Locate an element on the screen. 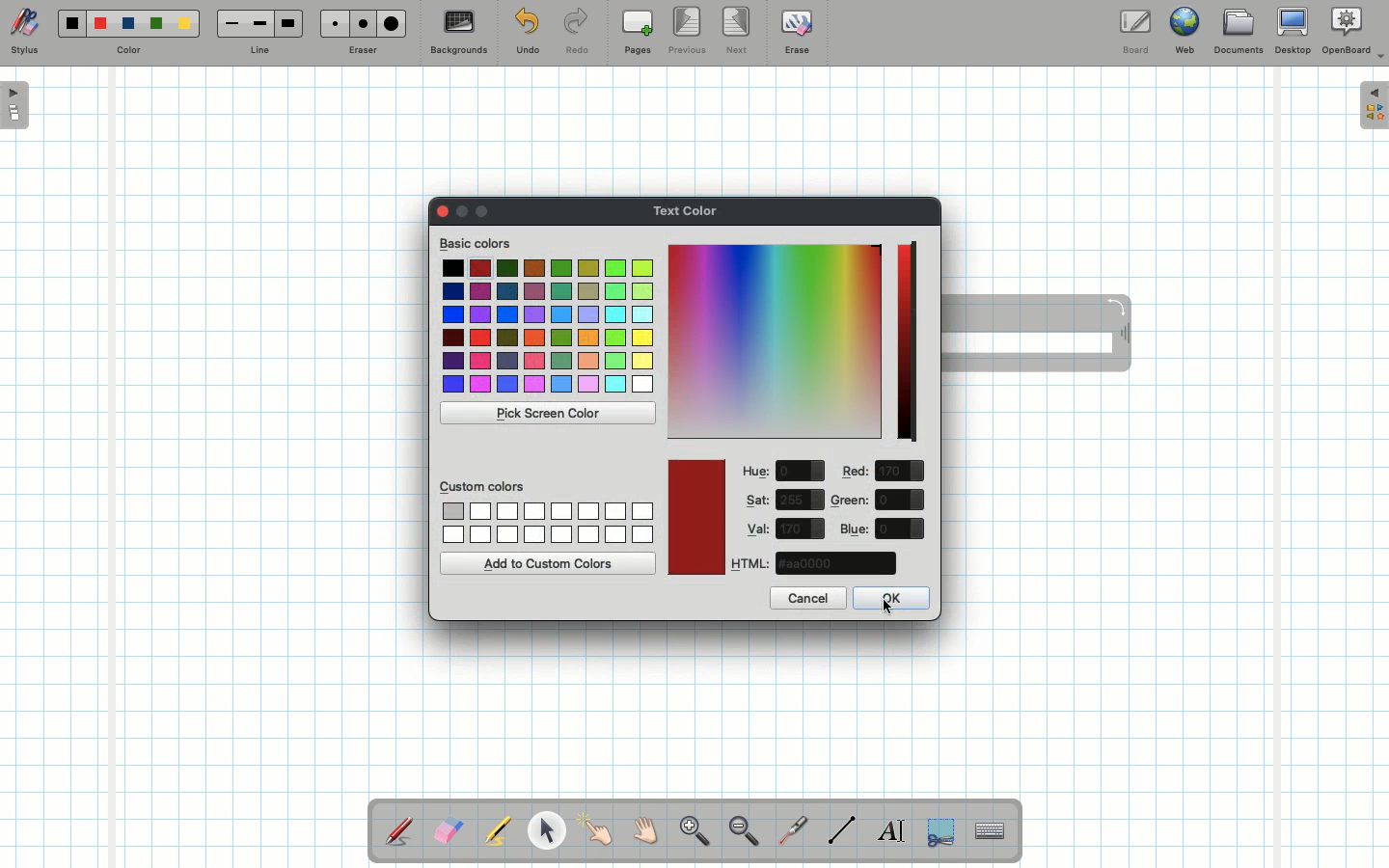 The width and height of the screenshot is (1389, 868). value is located at coordinates (901, 500).